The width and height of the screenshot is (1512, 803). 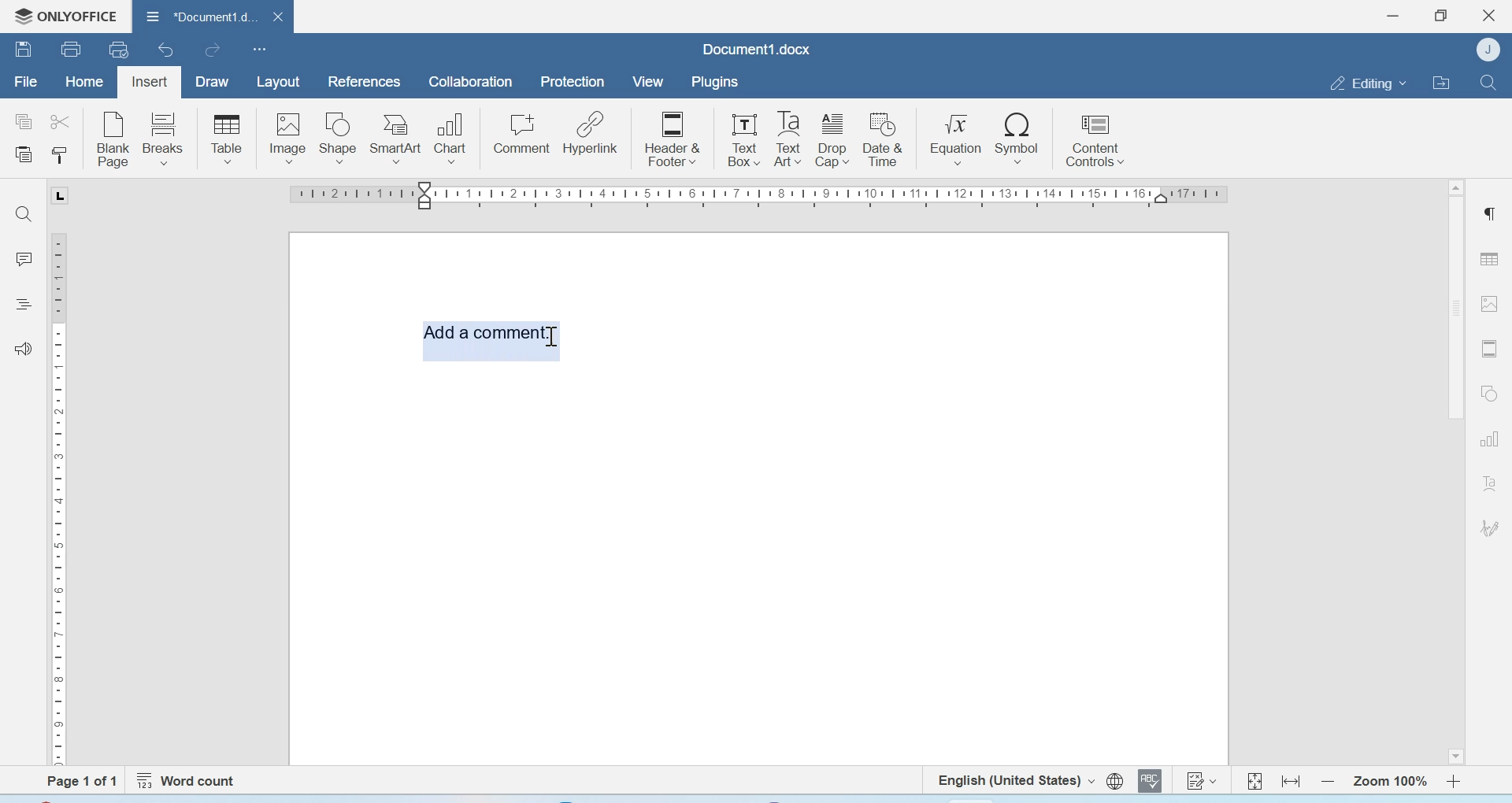 I want to click on Word count, so click(x=189, y=781).